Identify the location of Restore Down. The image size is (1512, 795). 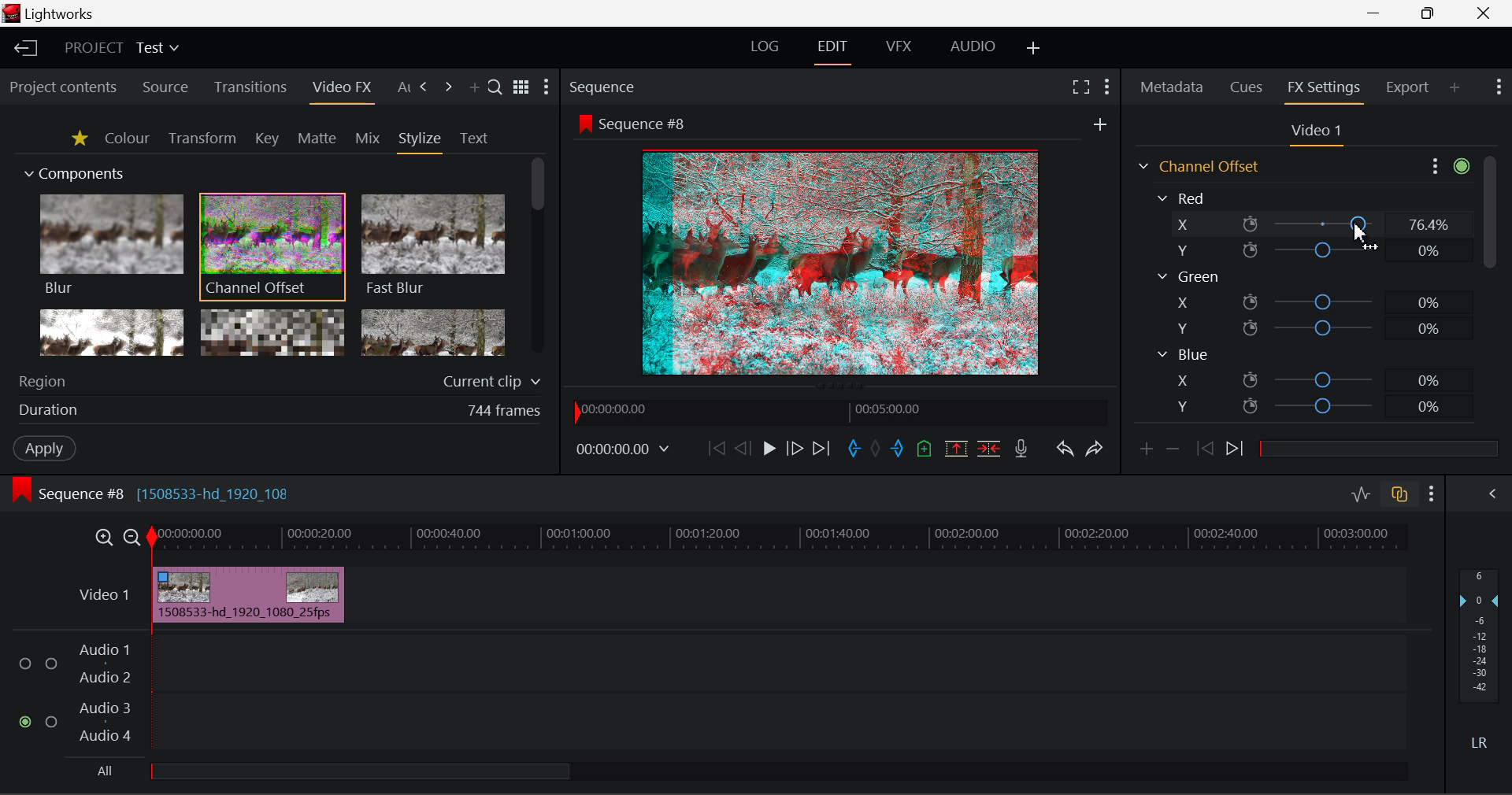
(1379, 14).